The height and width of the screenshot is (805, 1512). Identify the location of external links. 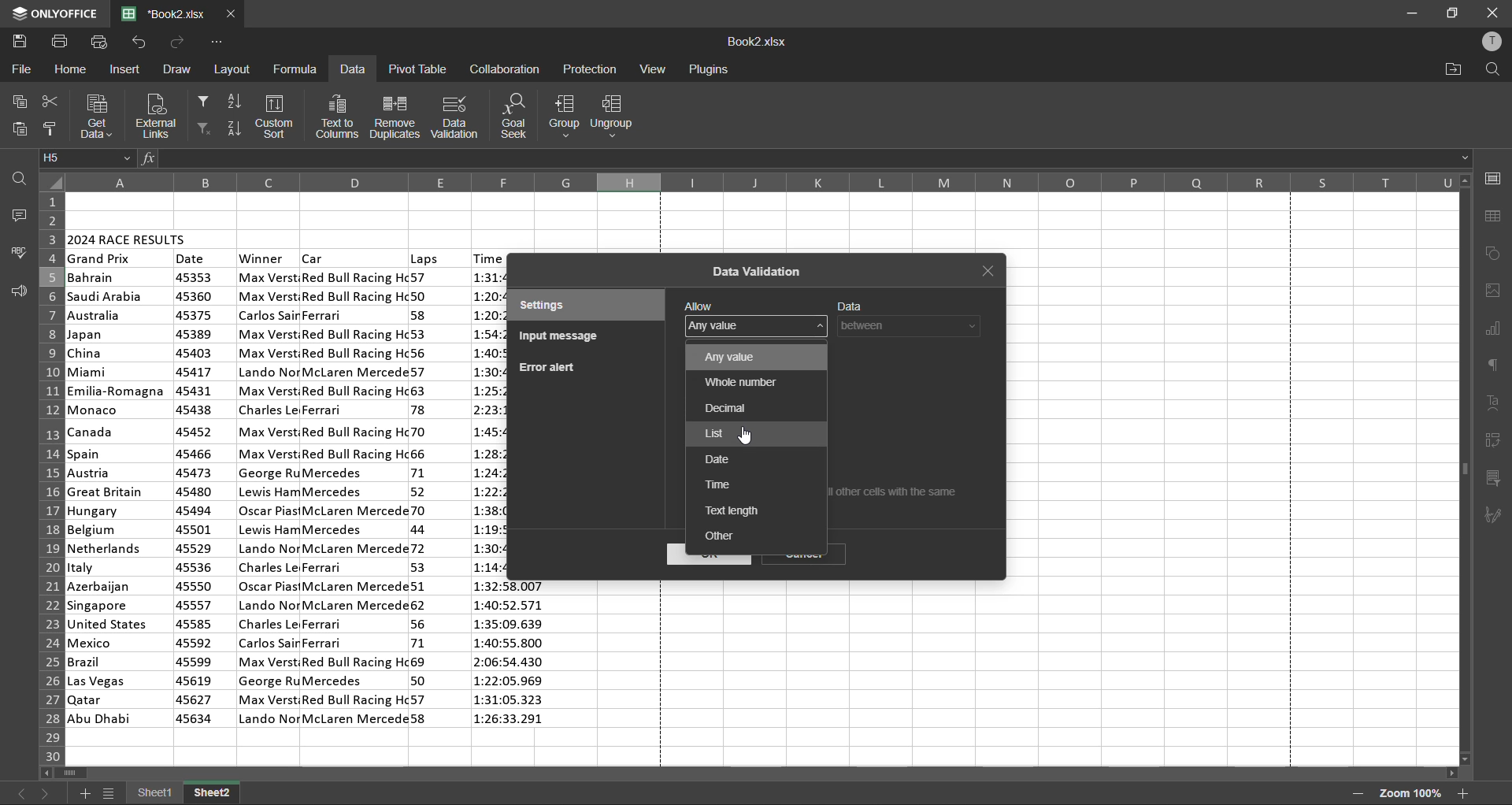
(154, 114).